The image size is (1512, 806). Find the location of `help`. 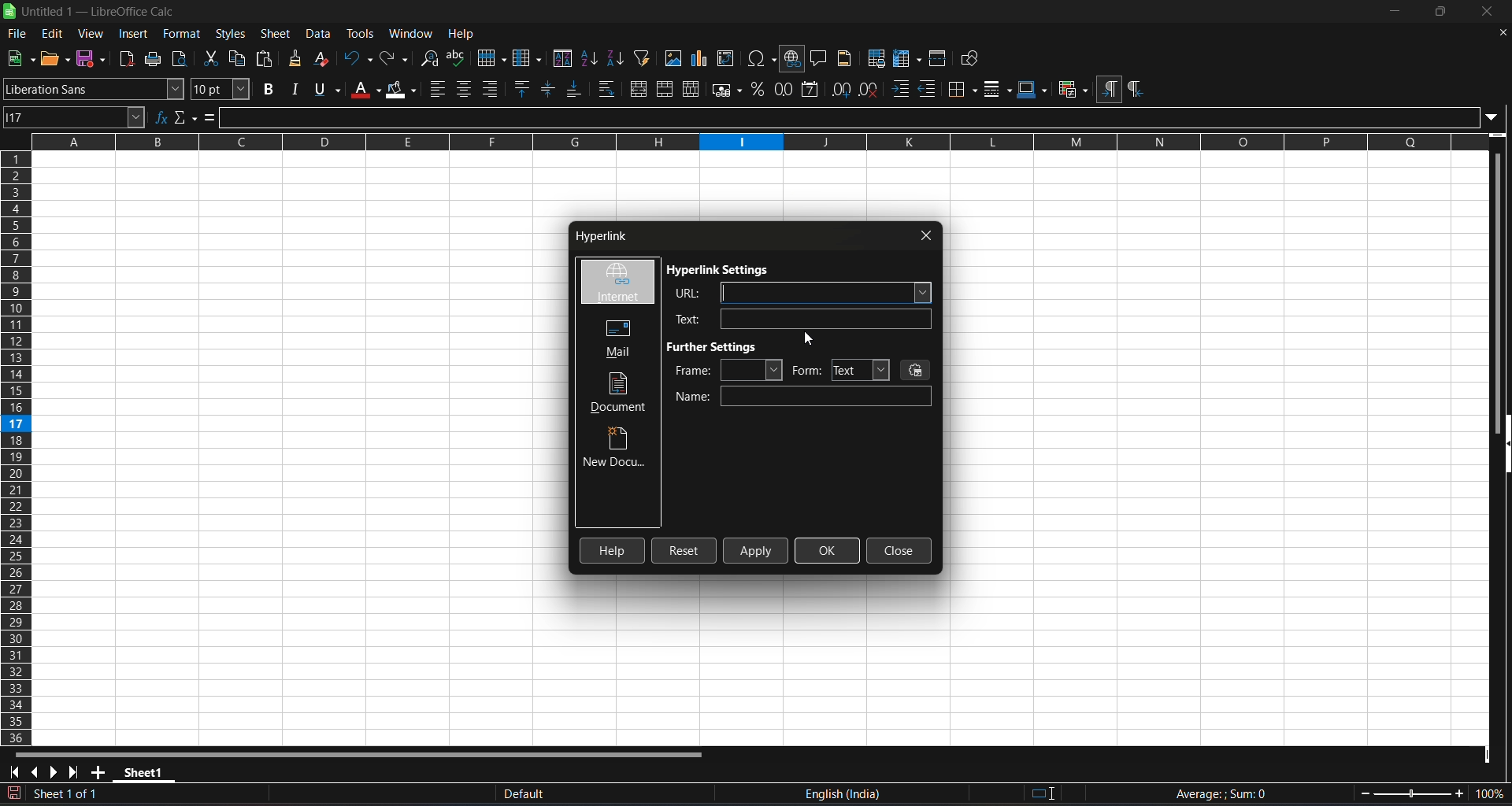

help is located at coordinates (613, 550).